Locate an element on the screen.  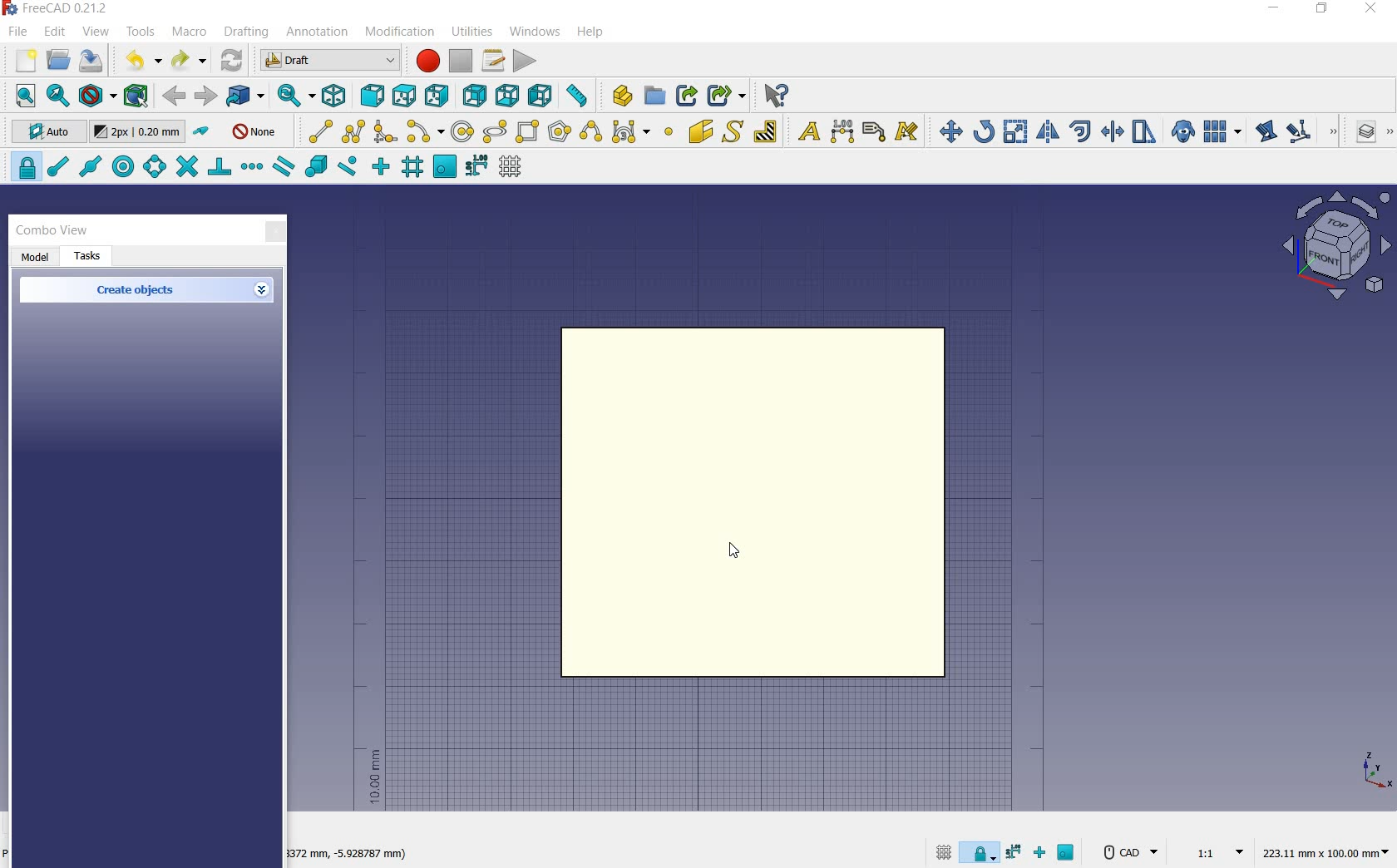
10mm is located at coordinates (373, 777).